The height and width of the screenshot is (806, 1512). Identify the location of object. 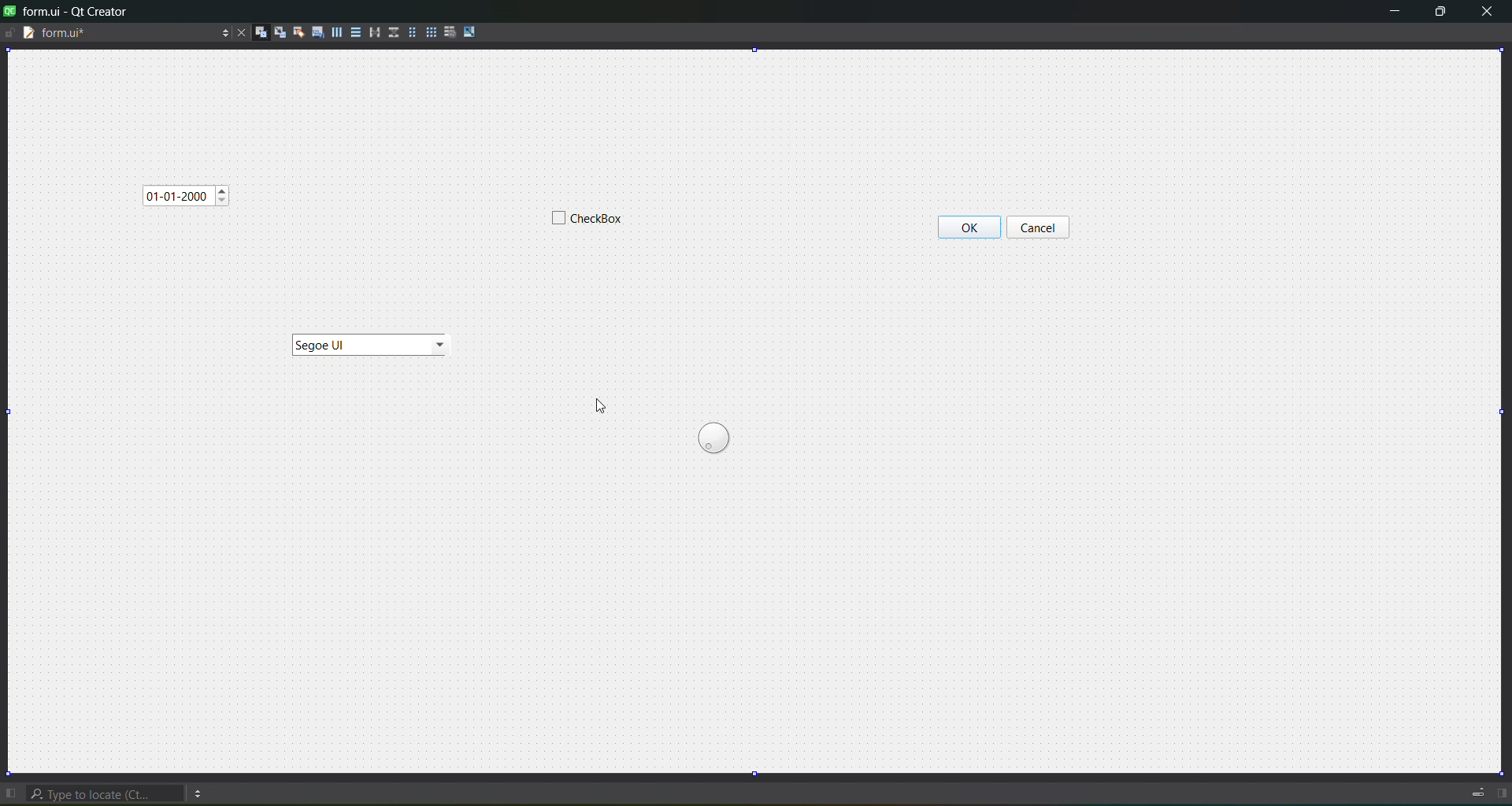
(367, 343).